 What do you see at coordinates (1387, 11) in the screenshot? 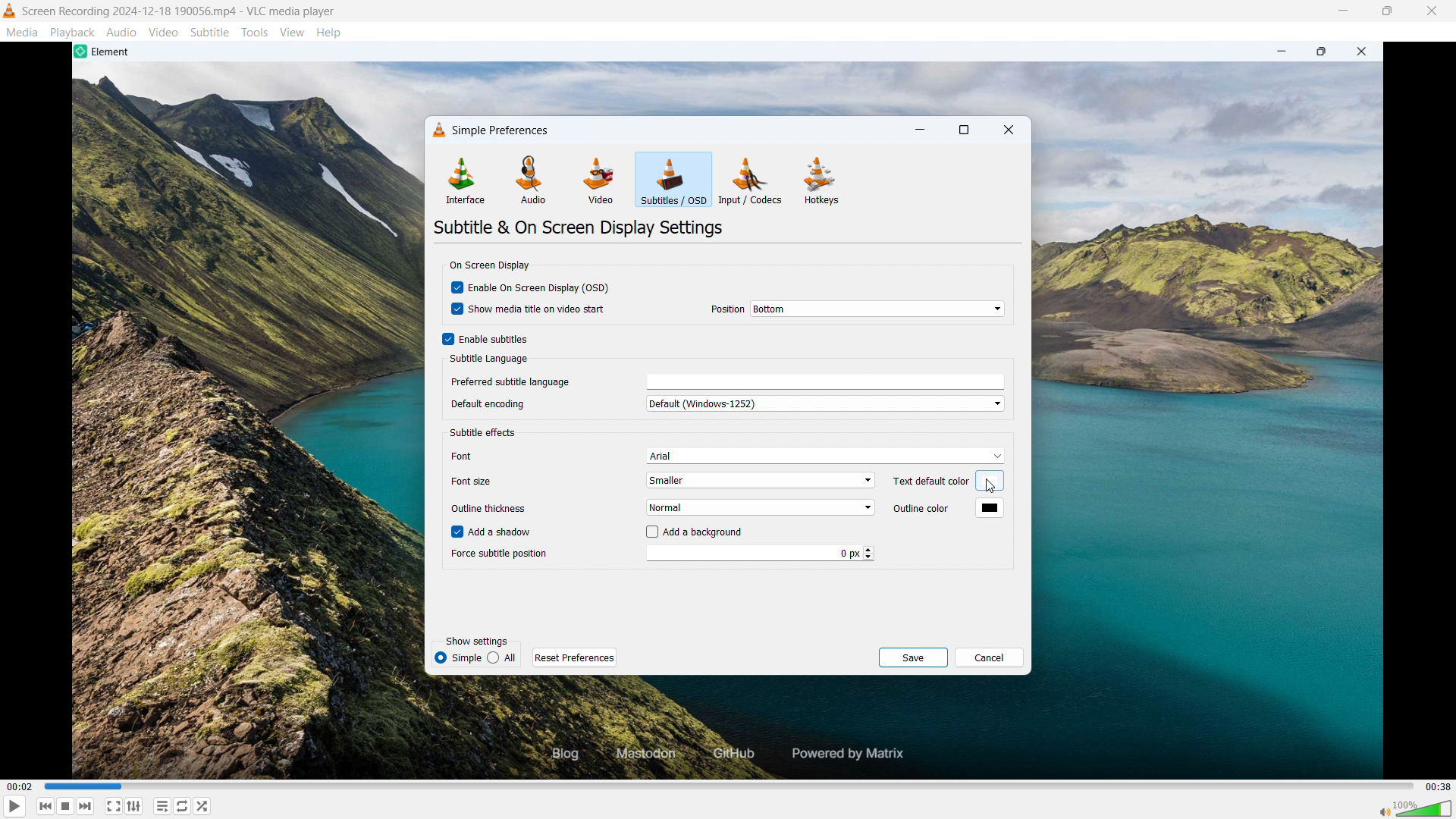
I see `Maximise ` at bounding box center [1387, 11].